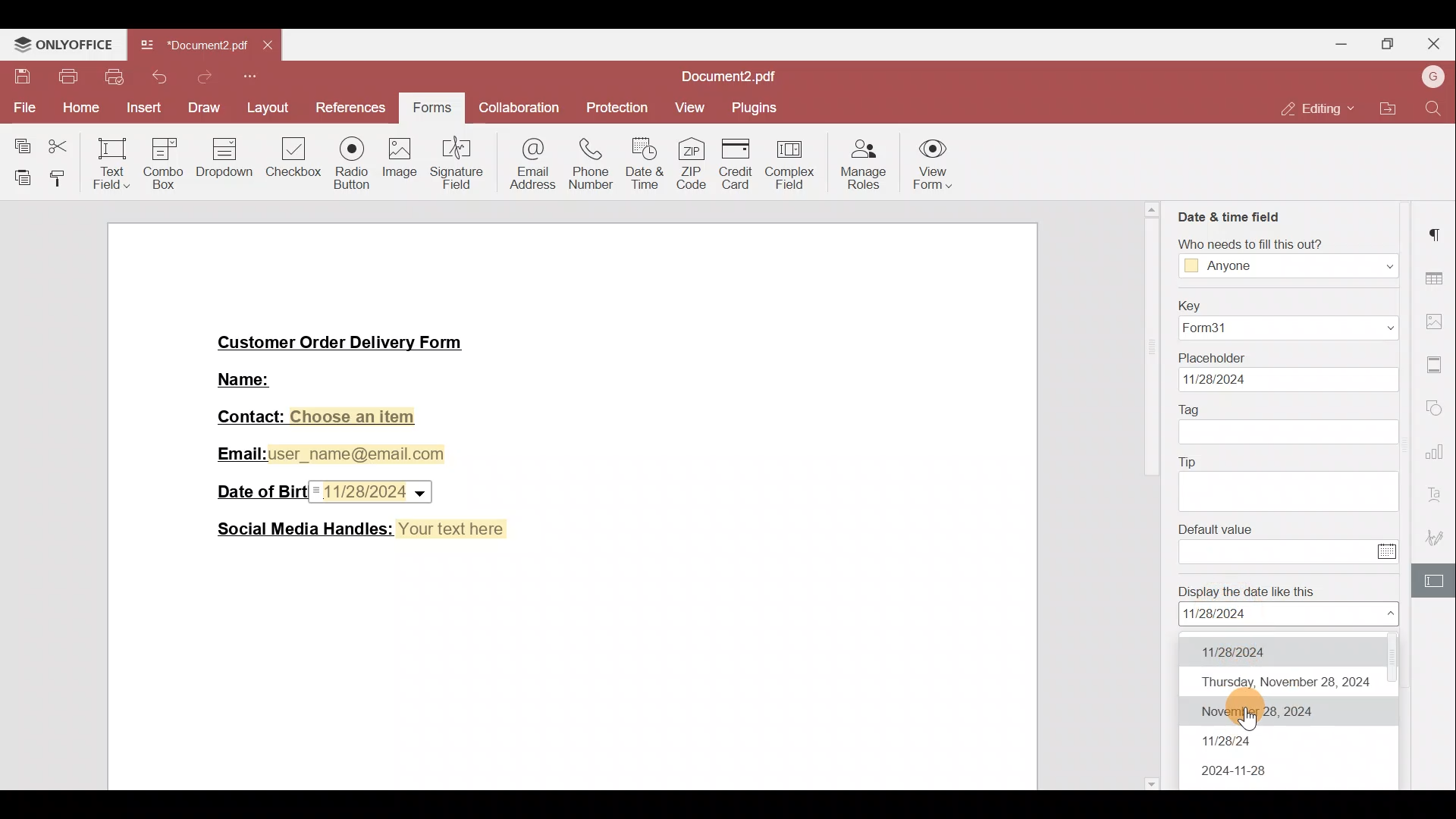 This screenshot has width=1456, height=819. I want to click on scrollbar, so click(1153, 496).